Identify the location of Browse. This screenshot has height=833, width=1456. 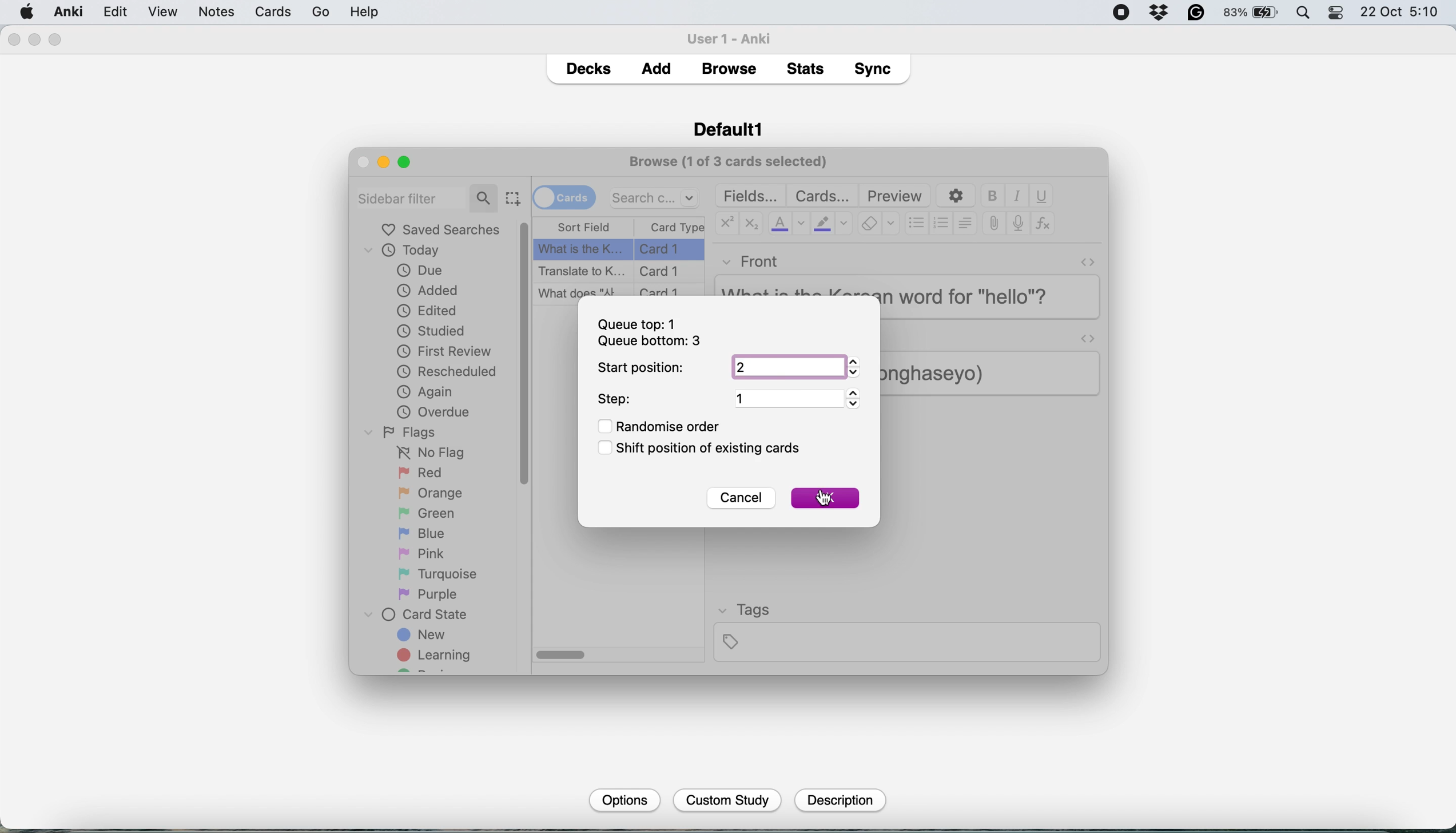
(728, 69).